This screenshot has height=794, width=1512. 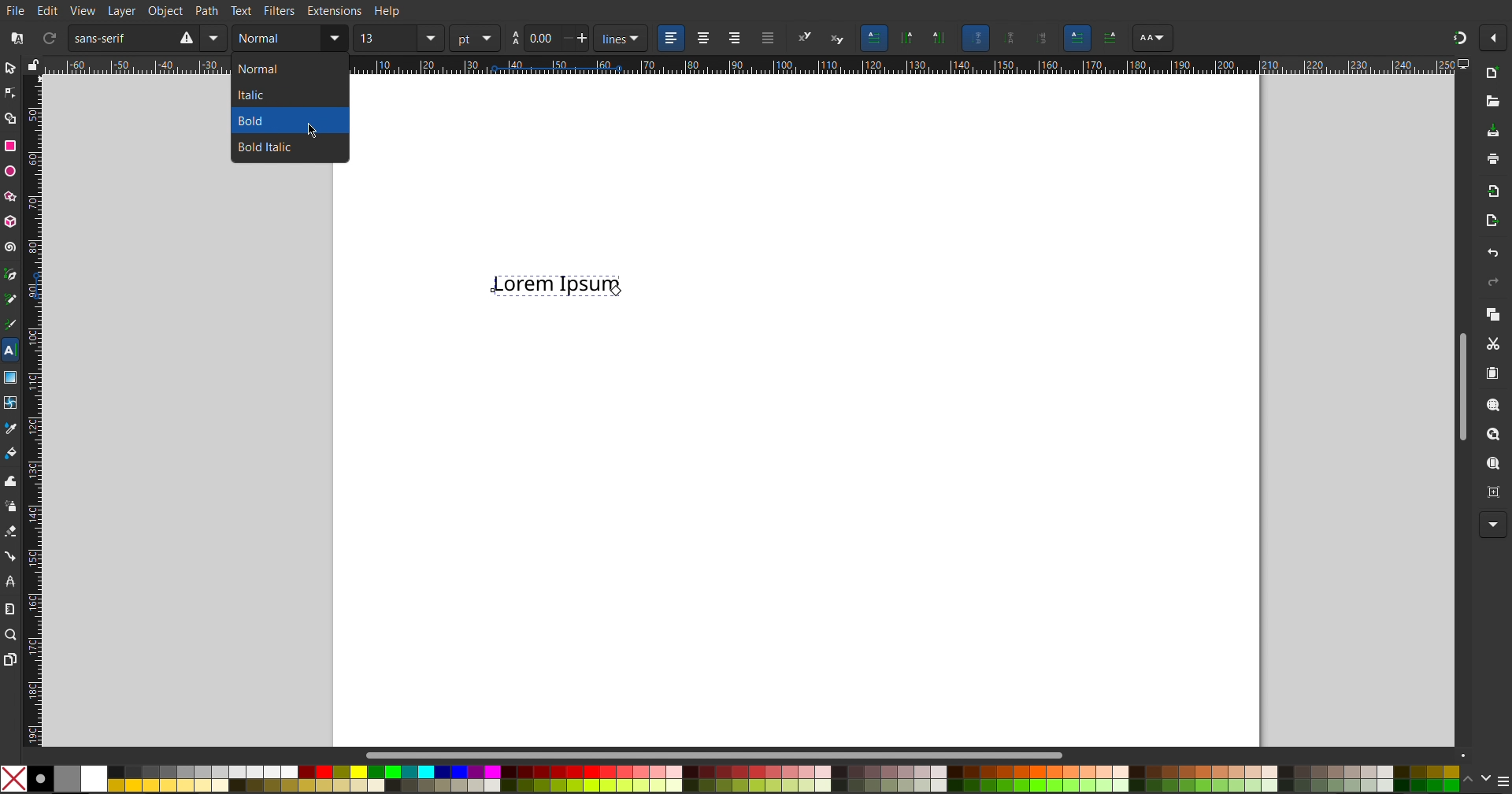 I want to click on Text, so click(x=242, y=10).